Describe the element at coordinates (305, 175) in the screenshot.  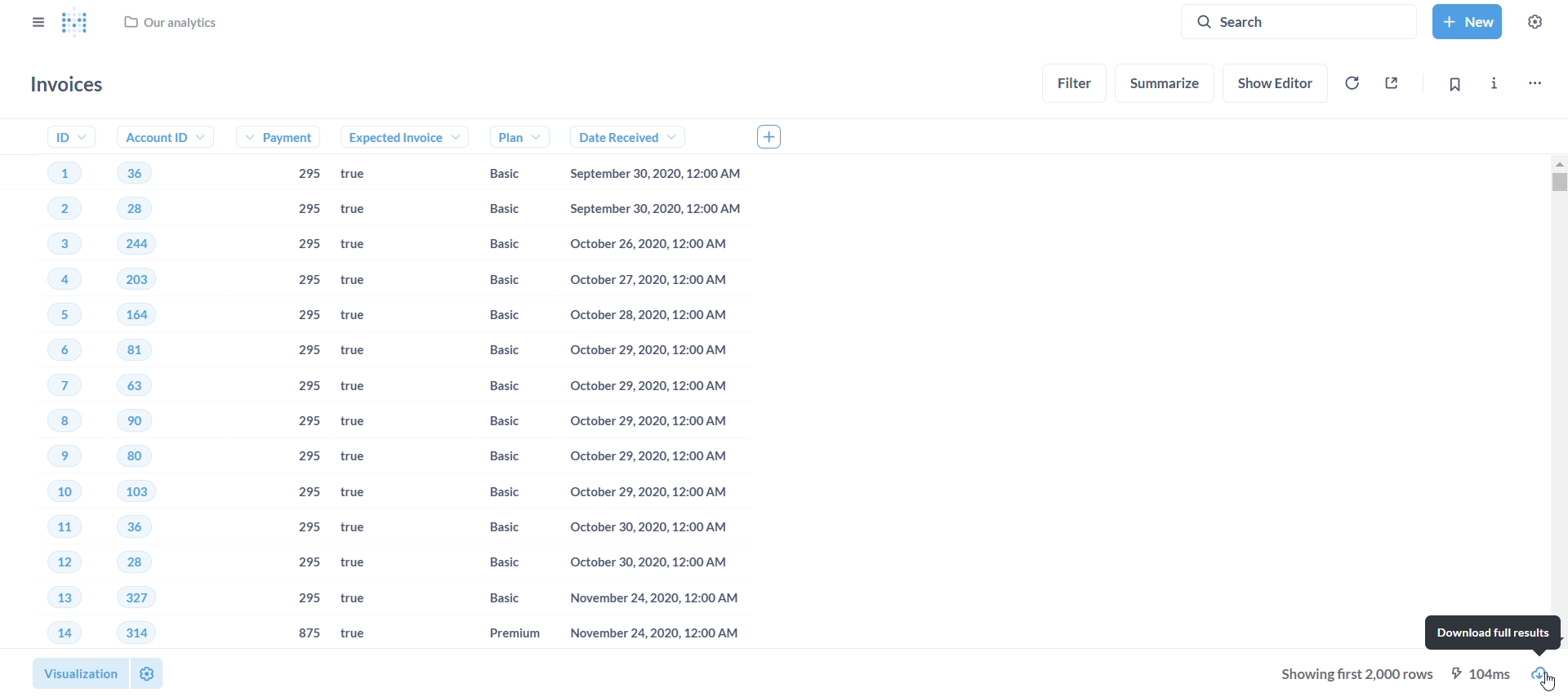
I see `295` at that location.